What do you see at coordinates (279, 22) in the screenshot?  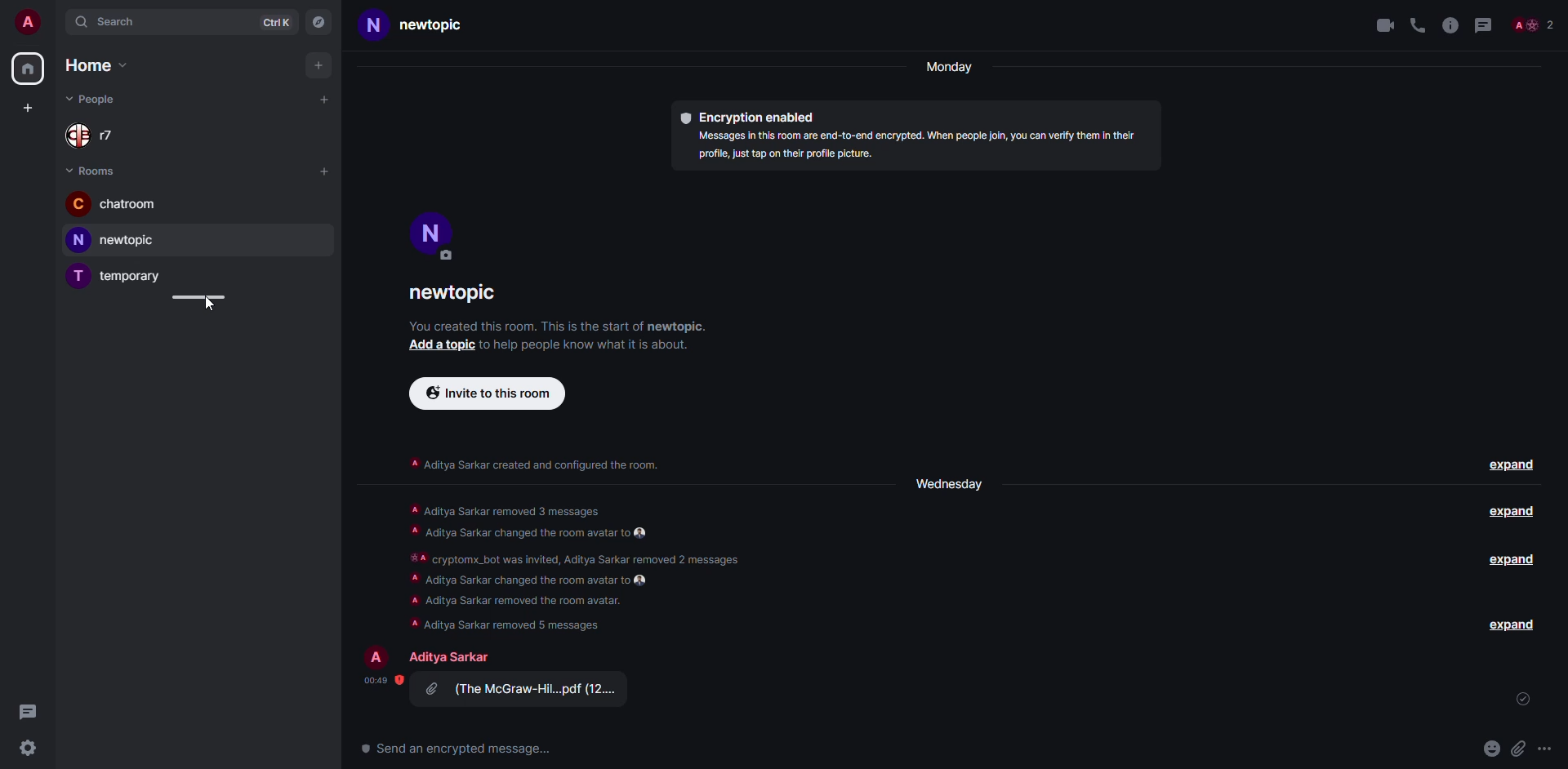 I see `Ctrl K` at bounding box center [279, 22].